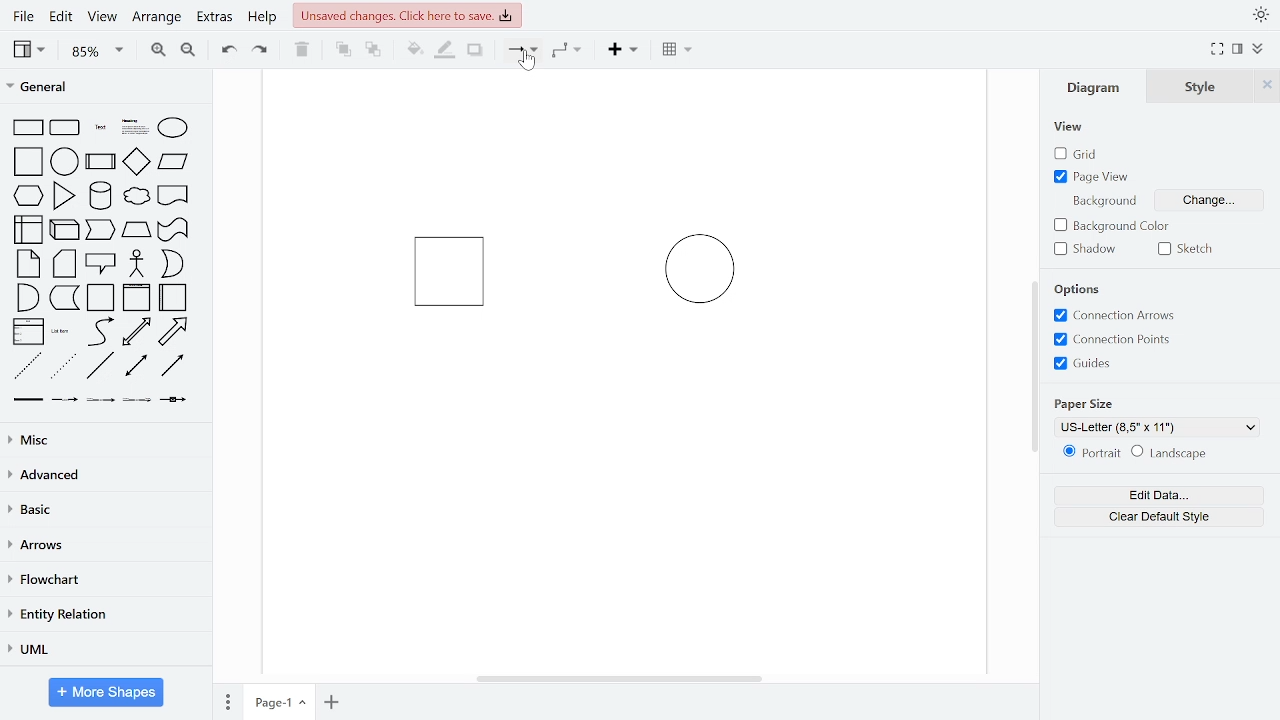 The width and height of the screenshot is (1280, 720). What do you see at coordinates (1158, 427) in the screenshot?
I see `current paper size` at bounding box center [1158, 427].